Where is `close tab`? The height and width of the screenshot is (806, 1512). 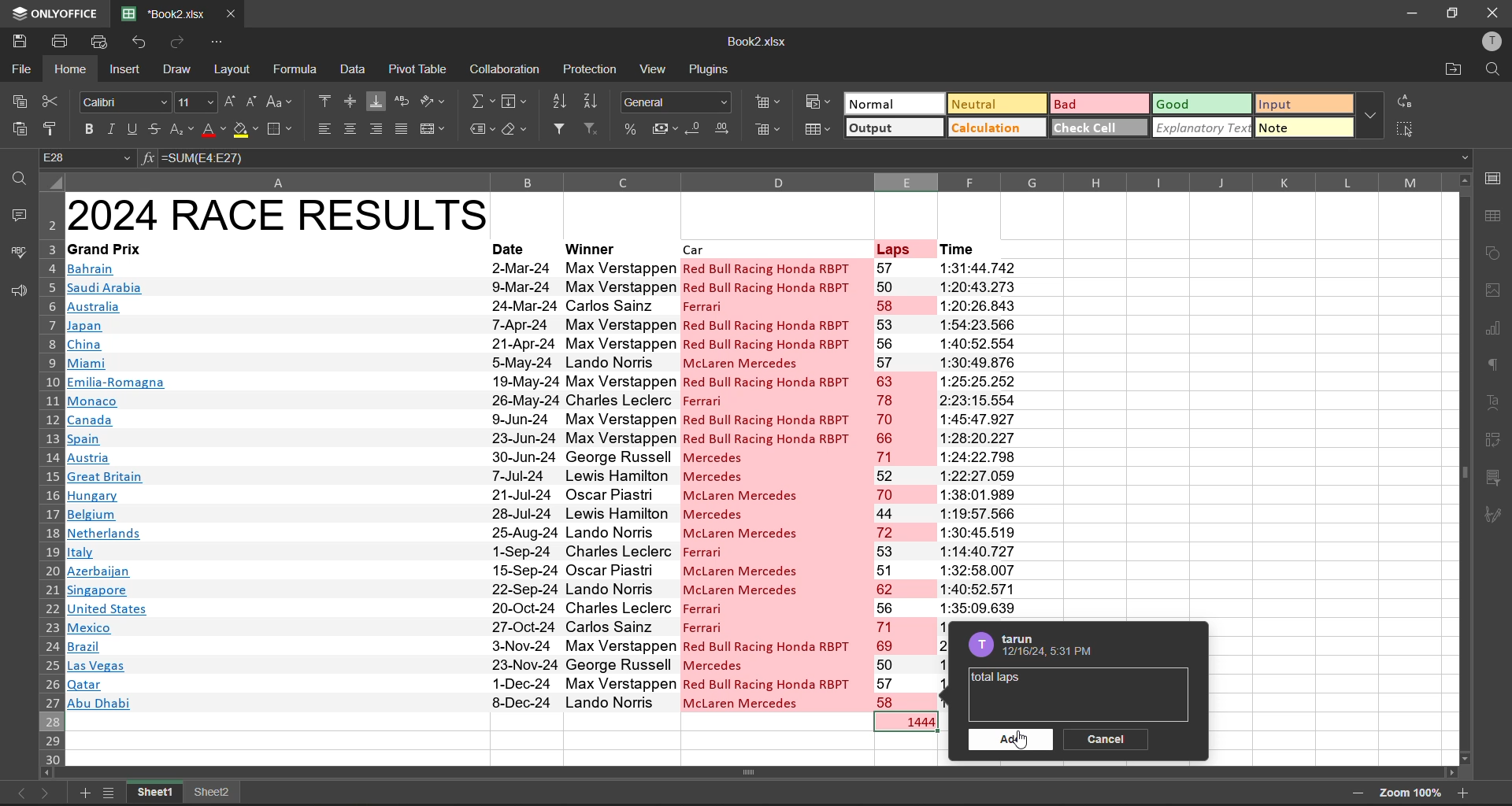
close tab is located at coordinates (238, 13).